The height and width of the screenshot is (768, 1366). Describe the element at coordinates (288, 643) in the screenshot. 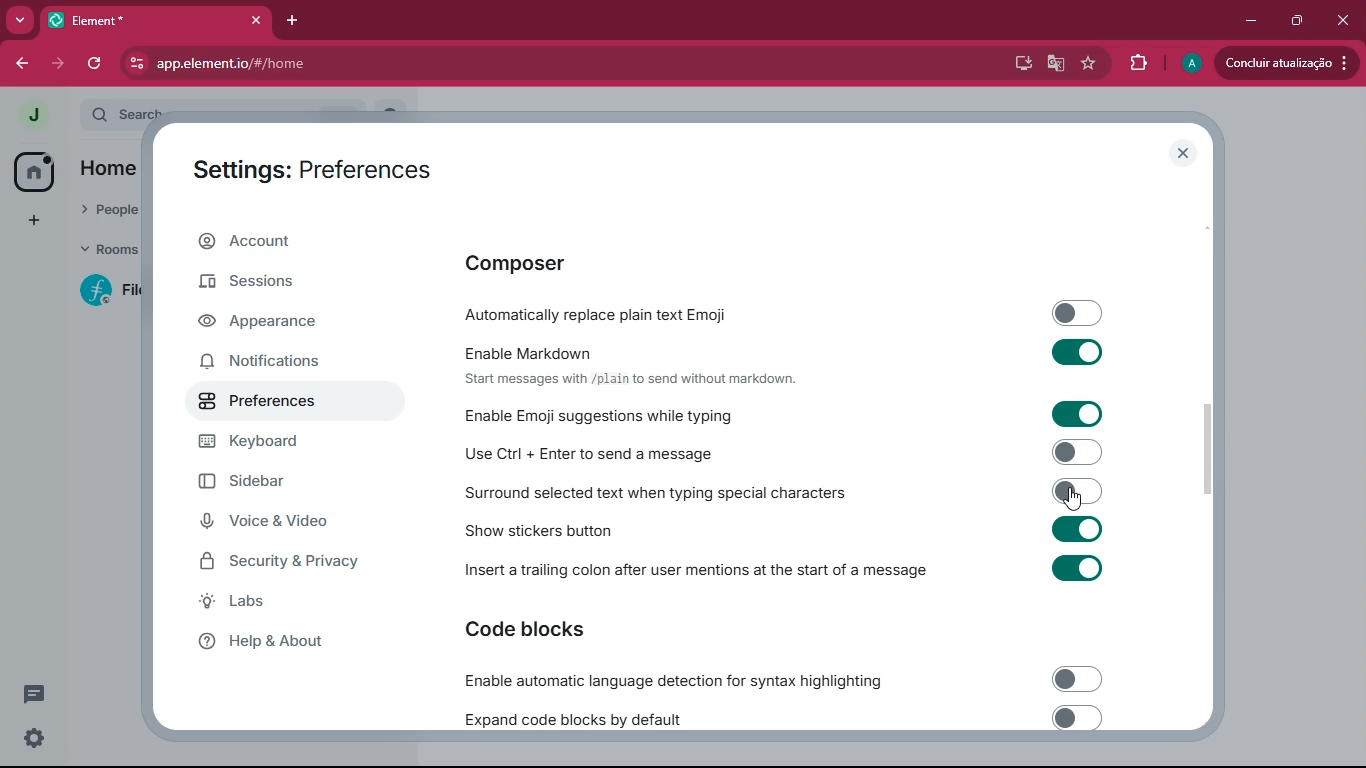

I see `help` at that location.